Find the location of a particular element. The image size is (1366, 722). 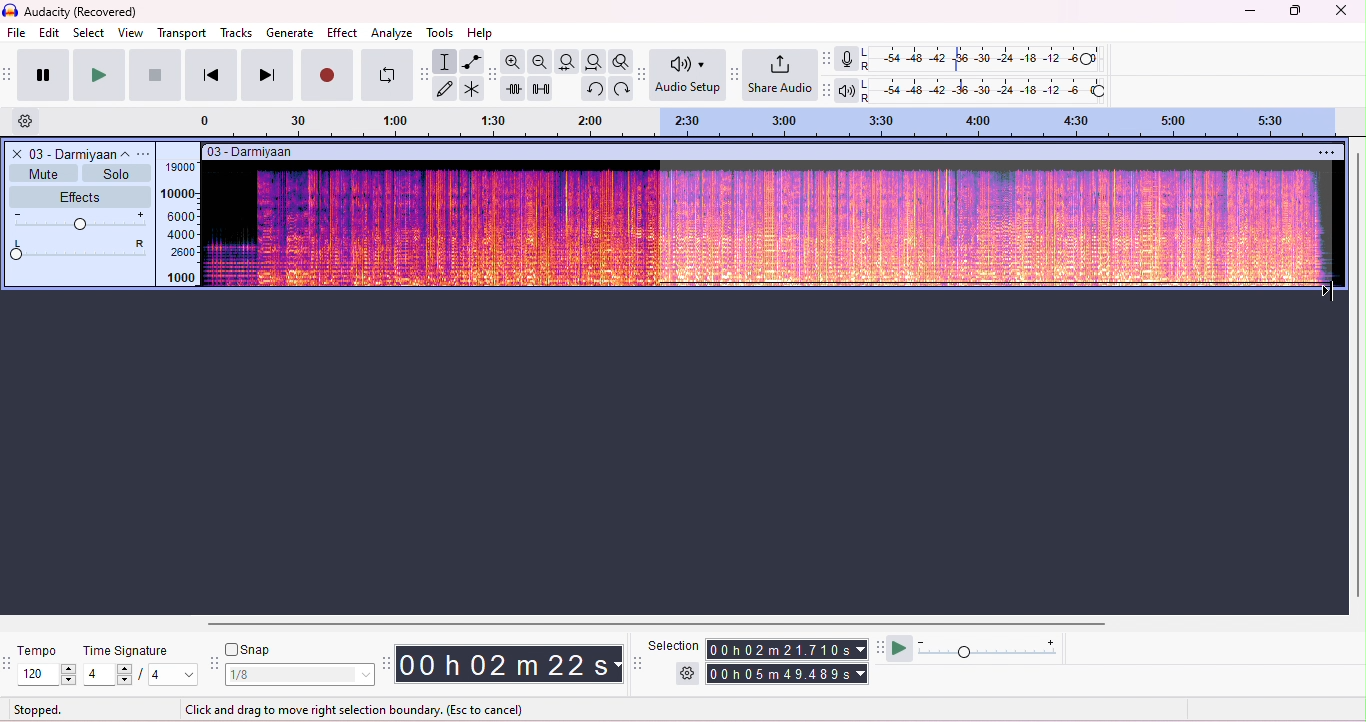

selection tool bar is located at coordinates (637, 662).